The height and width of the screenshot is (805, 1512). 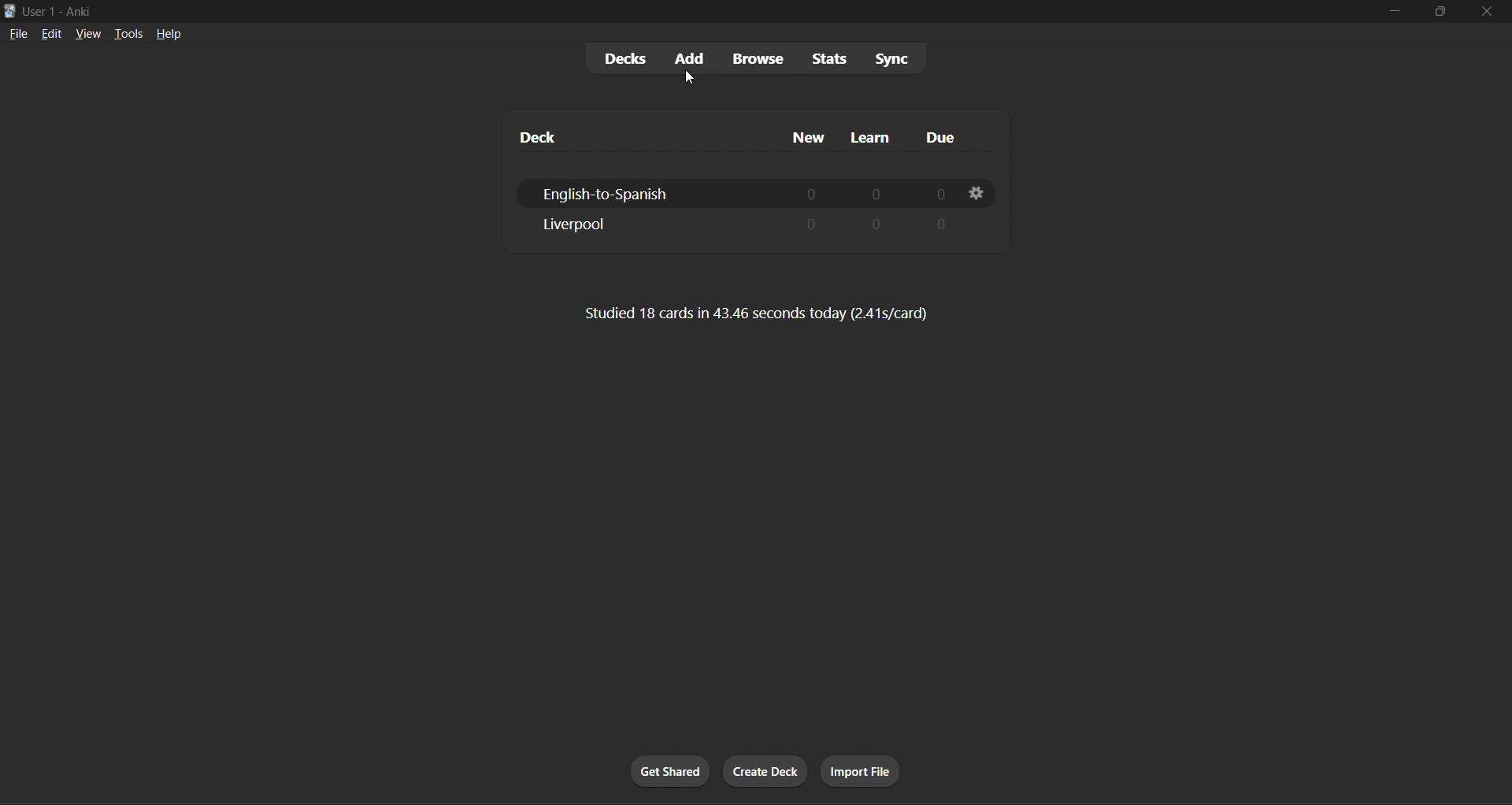 I want to click on card stats, so click(x=755, y=315).